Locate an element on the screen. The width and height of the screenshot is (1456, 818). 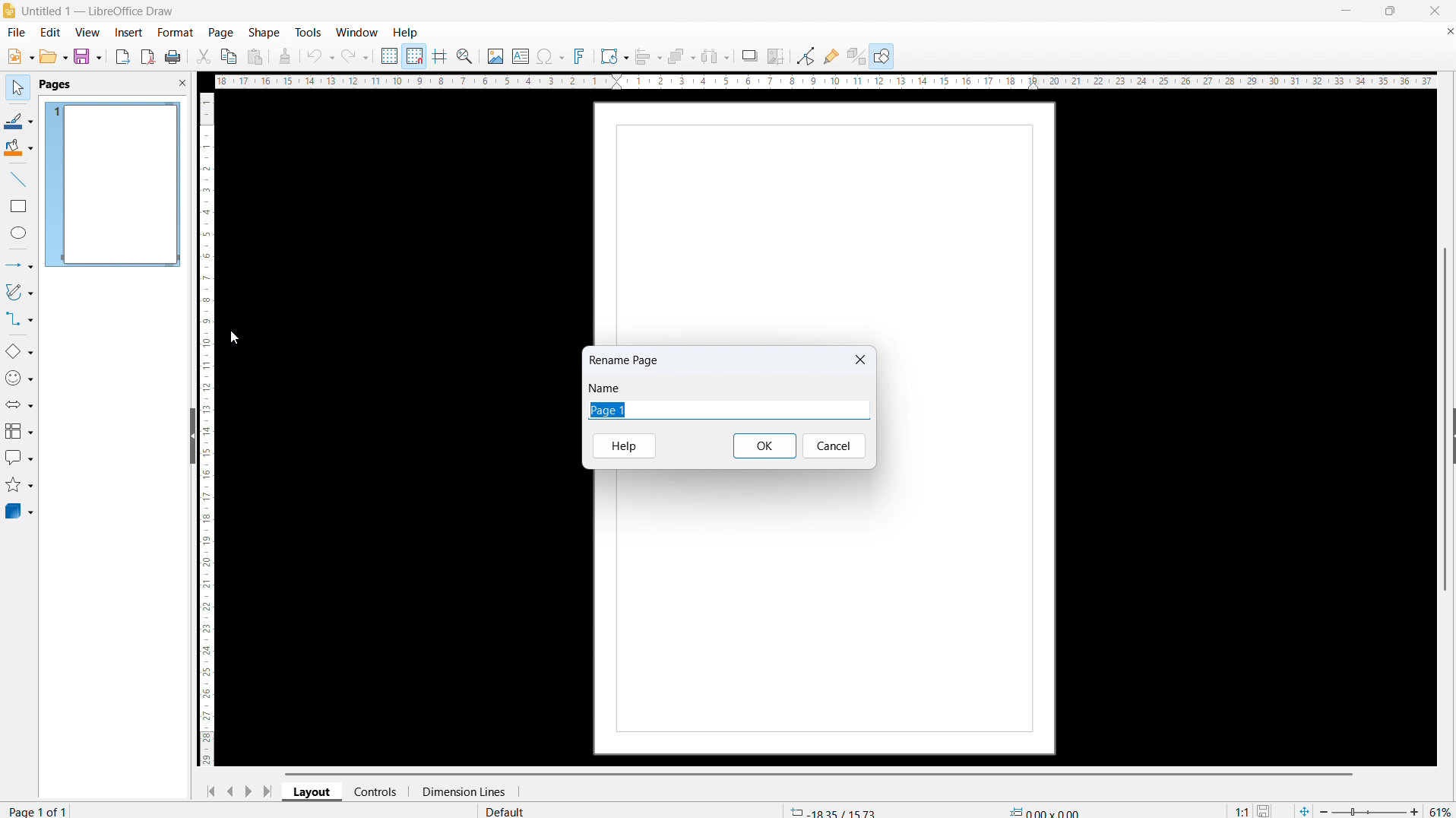
dimension lines is located at coordinates (459, 792).